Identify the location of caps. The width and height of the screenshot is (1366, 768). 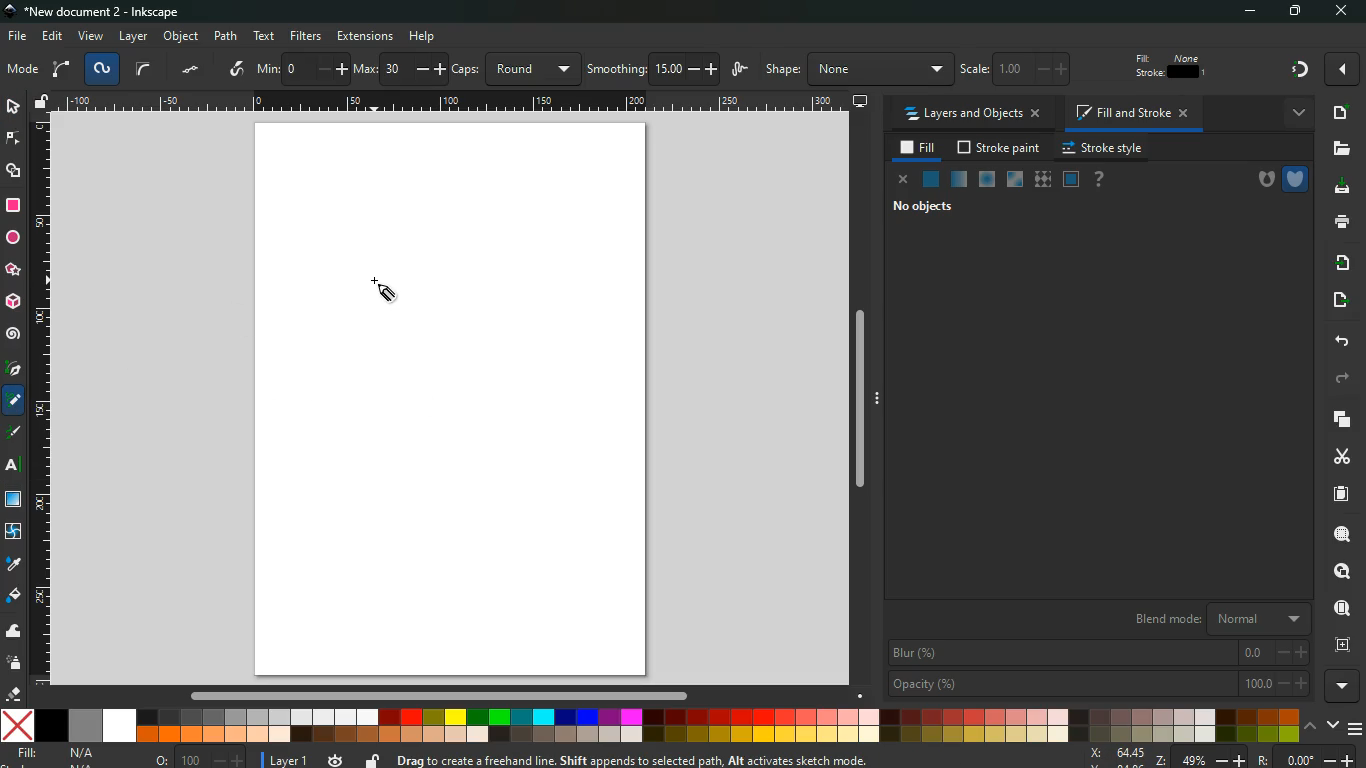
(515, 69).